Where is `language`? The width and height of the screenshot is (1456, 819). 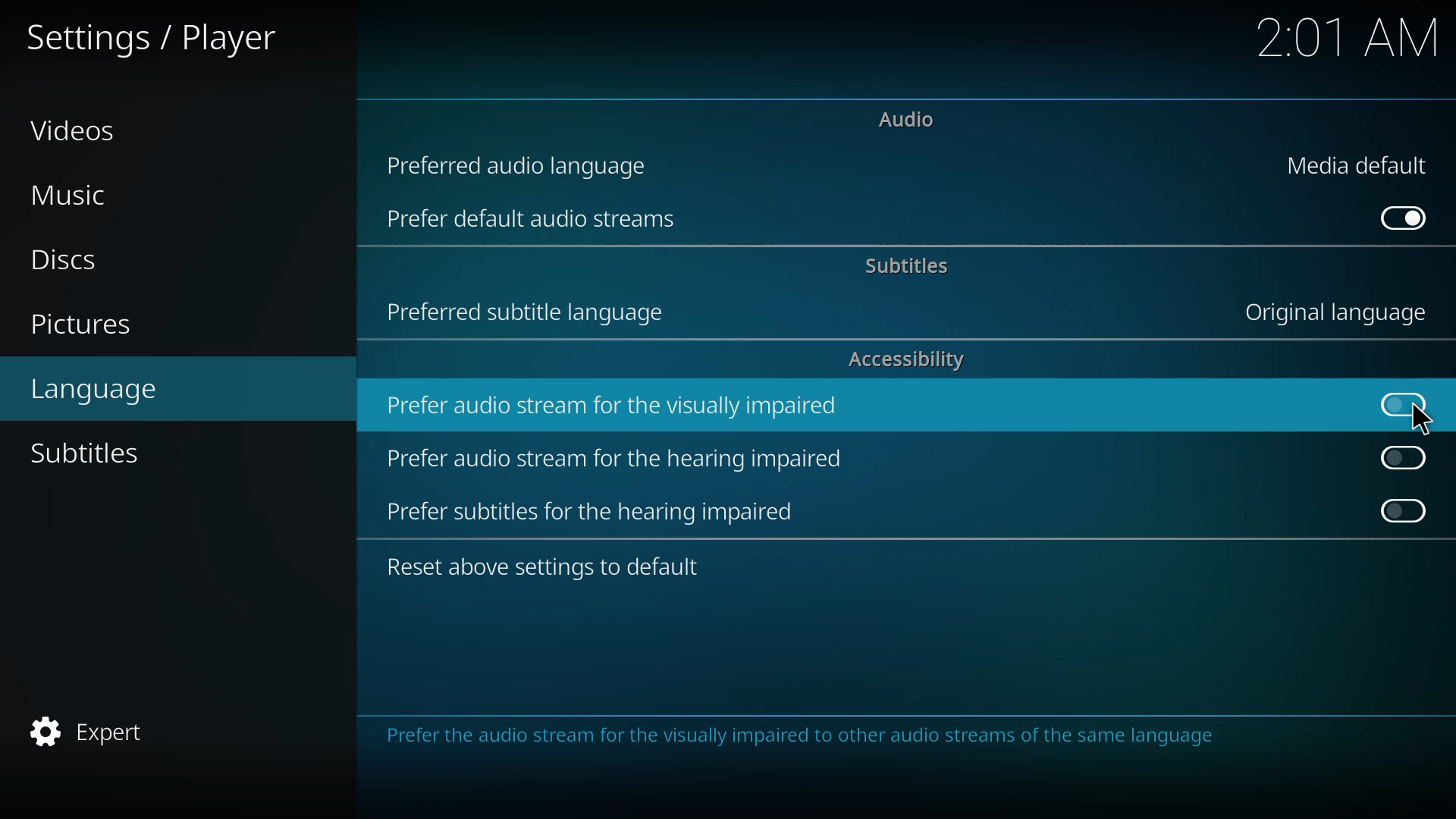 language is located at coordinates (1338, 312).